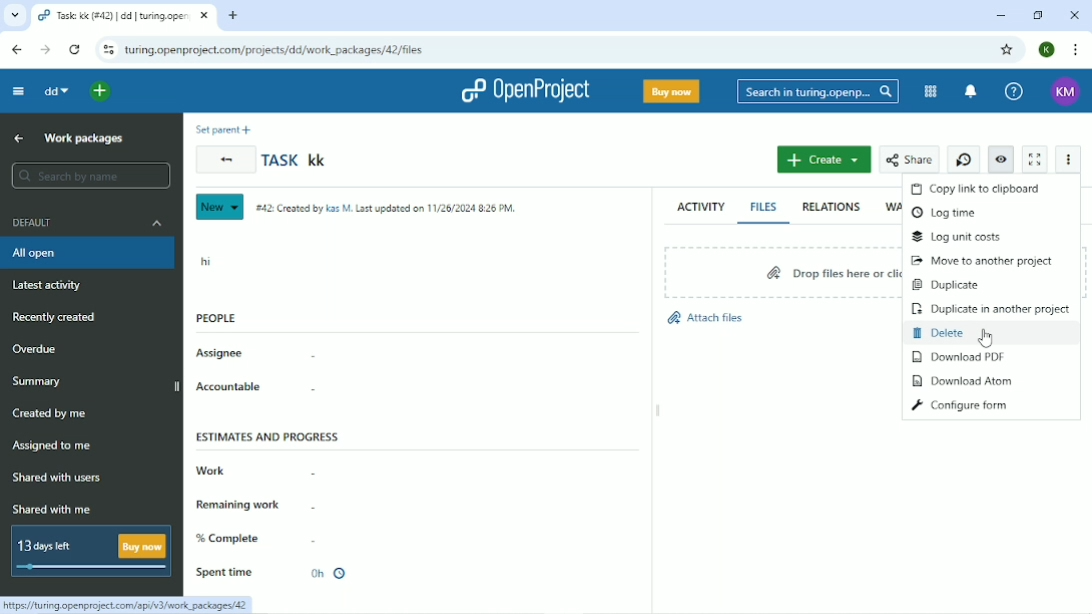 This screenshot has height=614, width=1092. What do you see at coordinates (1064, 92) in the screenshot?
I see `KM` at bounding box center [1064, 92].